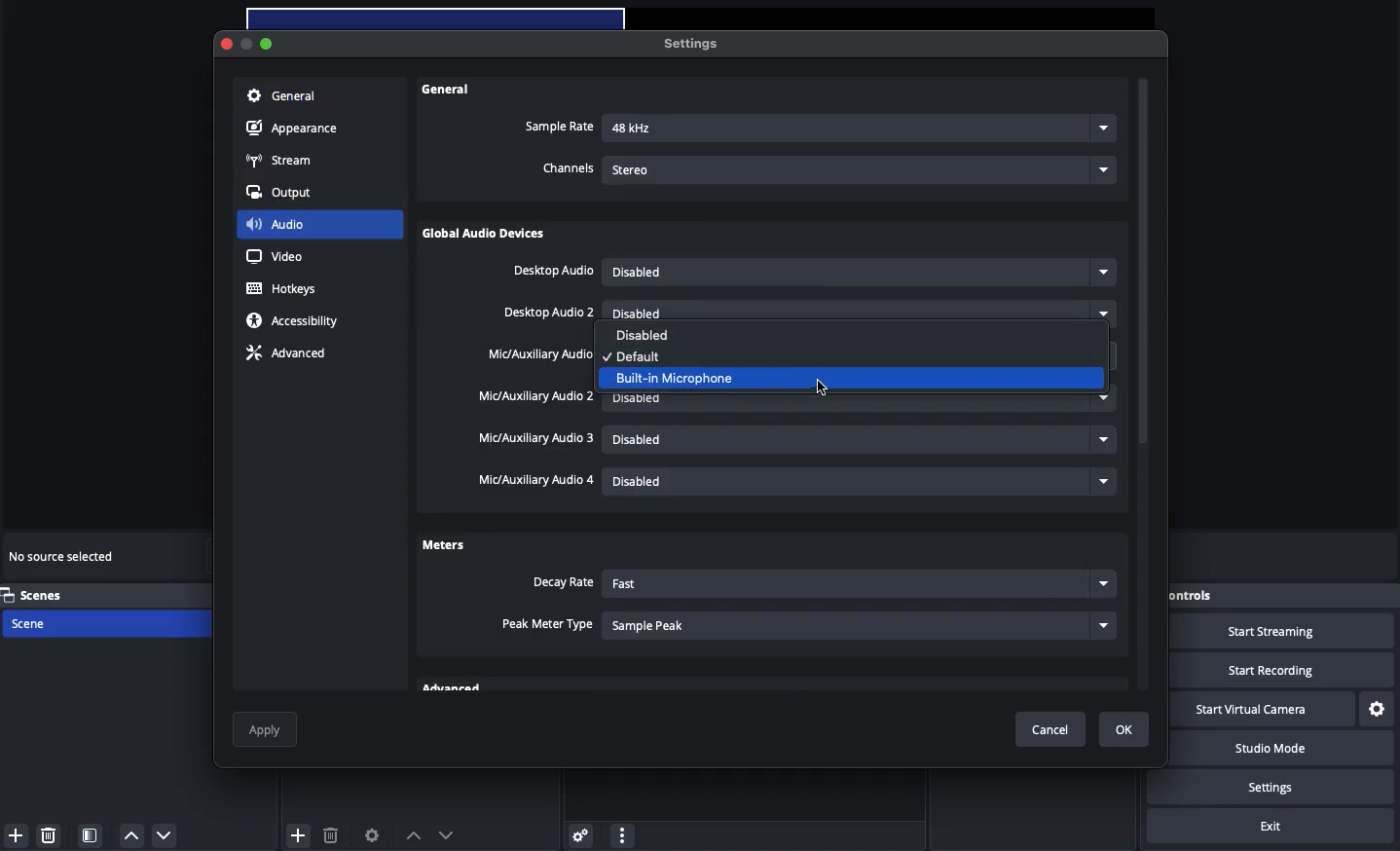 The width and height of the screenshot is (1400, 851). Describe the element at coordinates (688, 43) in the screenshot. I see `Settings` at that location.